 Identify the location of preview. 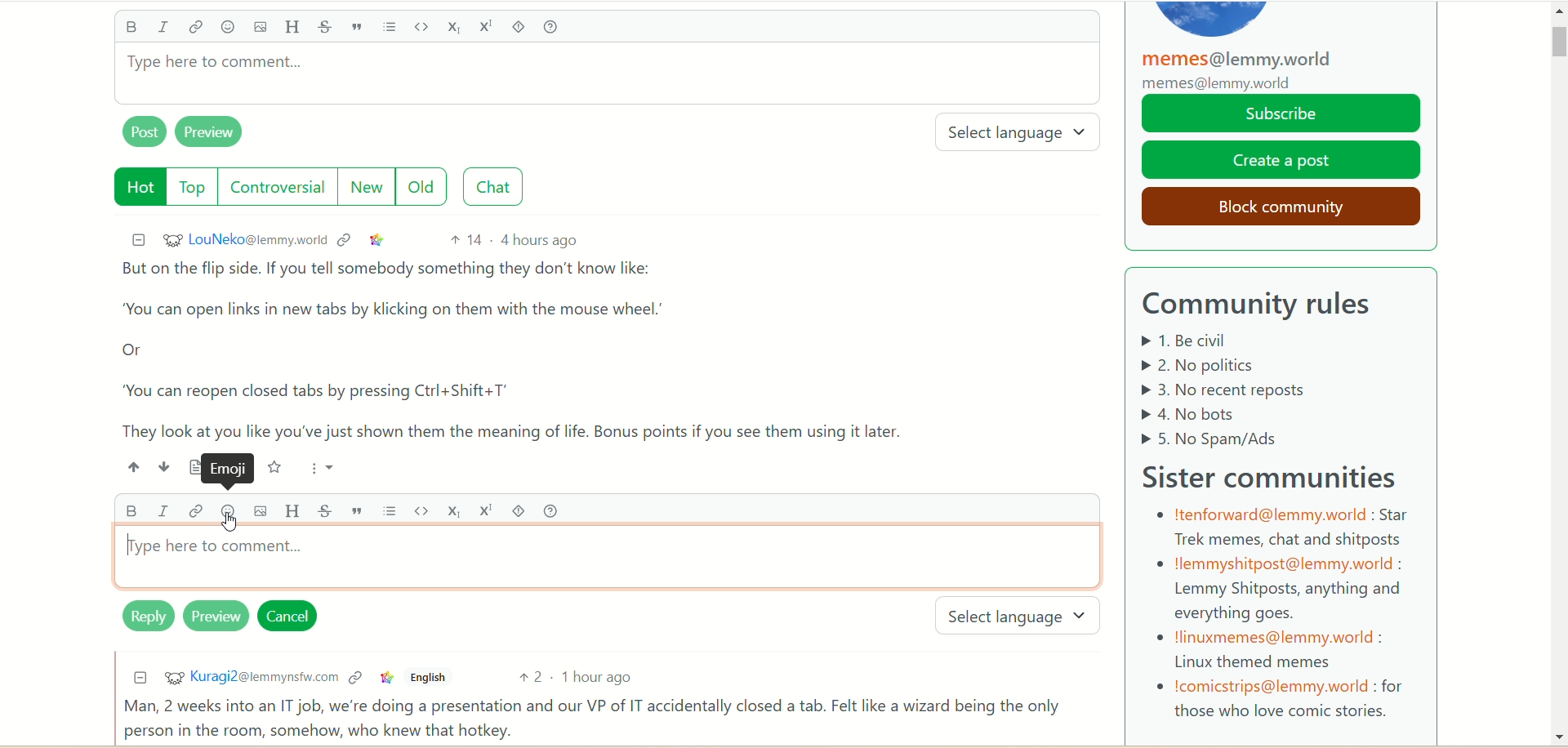
(217, 134).